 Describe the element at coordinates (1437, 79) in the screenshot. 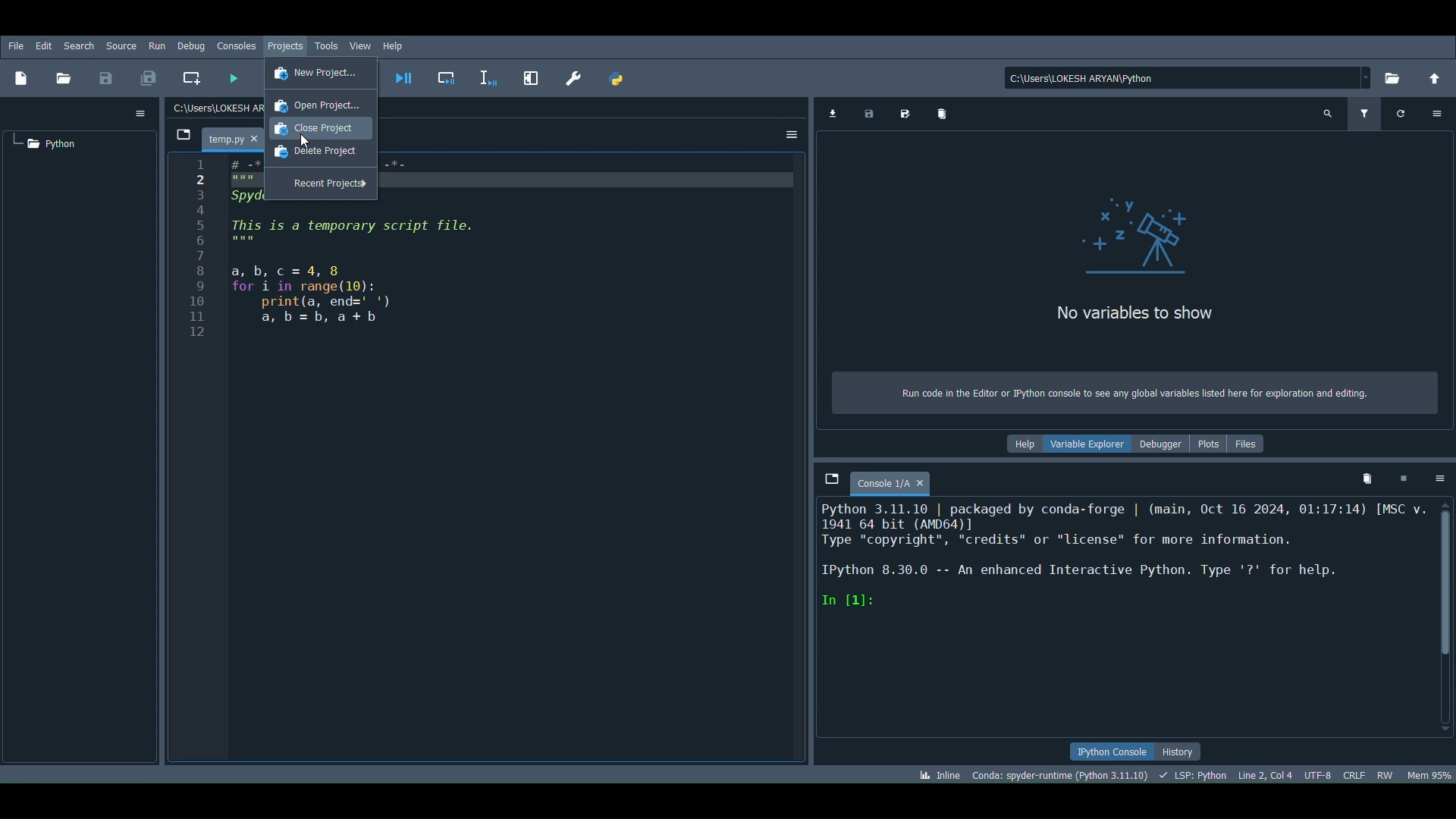

I see `Change to parent directory` at that location.